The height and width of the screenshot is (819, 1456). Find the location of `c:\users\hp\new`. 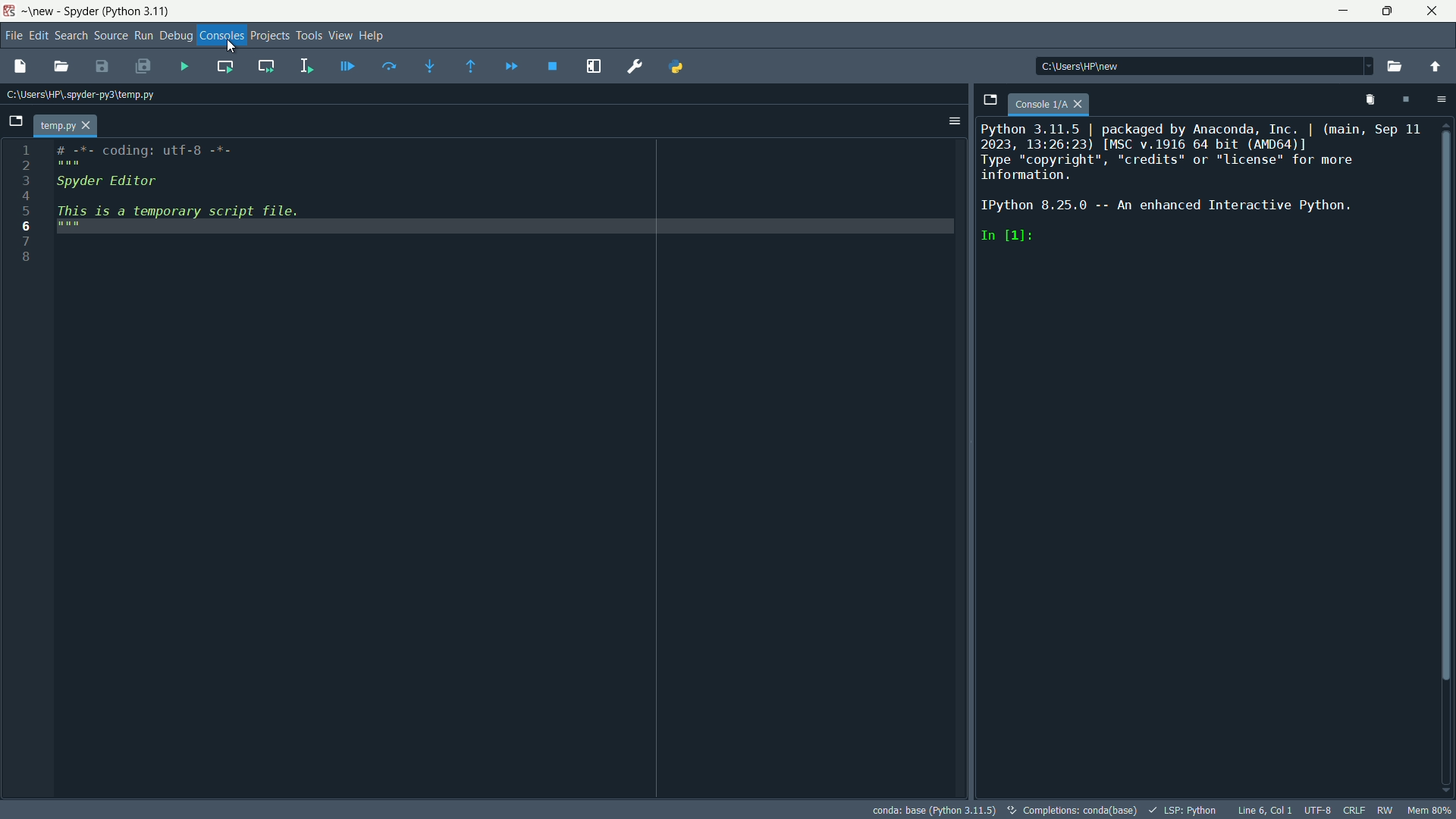

c:\users\hp\new is located at coordinates (1090, 66).